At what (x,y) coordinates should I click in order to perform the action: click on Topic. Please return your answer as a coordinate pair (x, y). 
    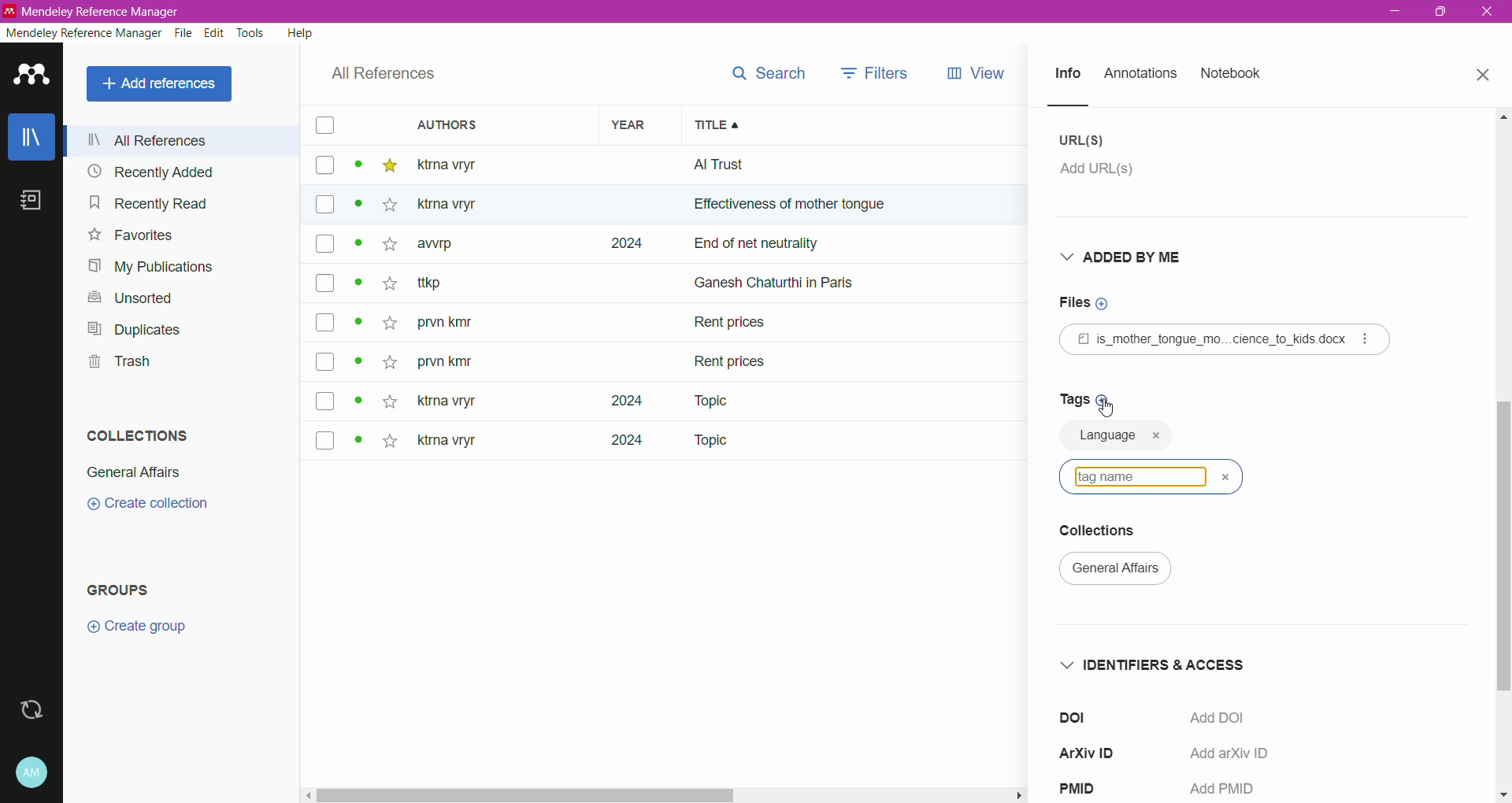
    Looking at the image, I should click on (709, 442).